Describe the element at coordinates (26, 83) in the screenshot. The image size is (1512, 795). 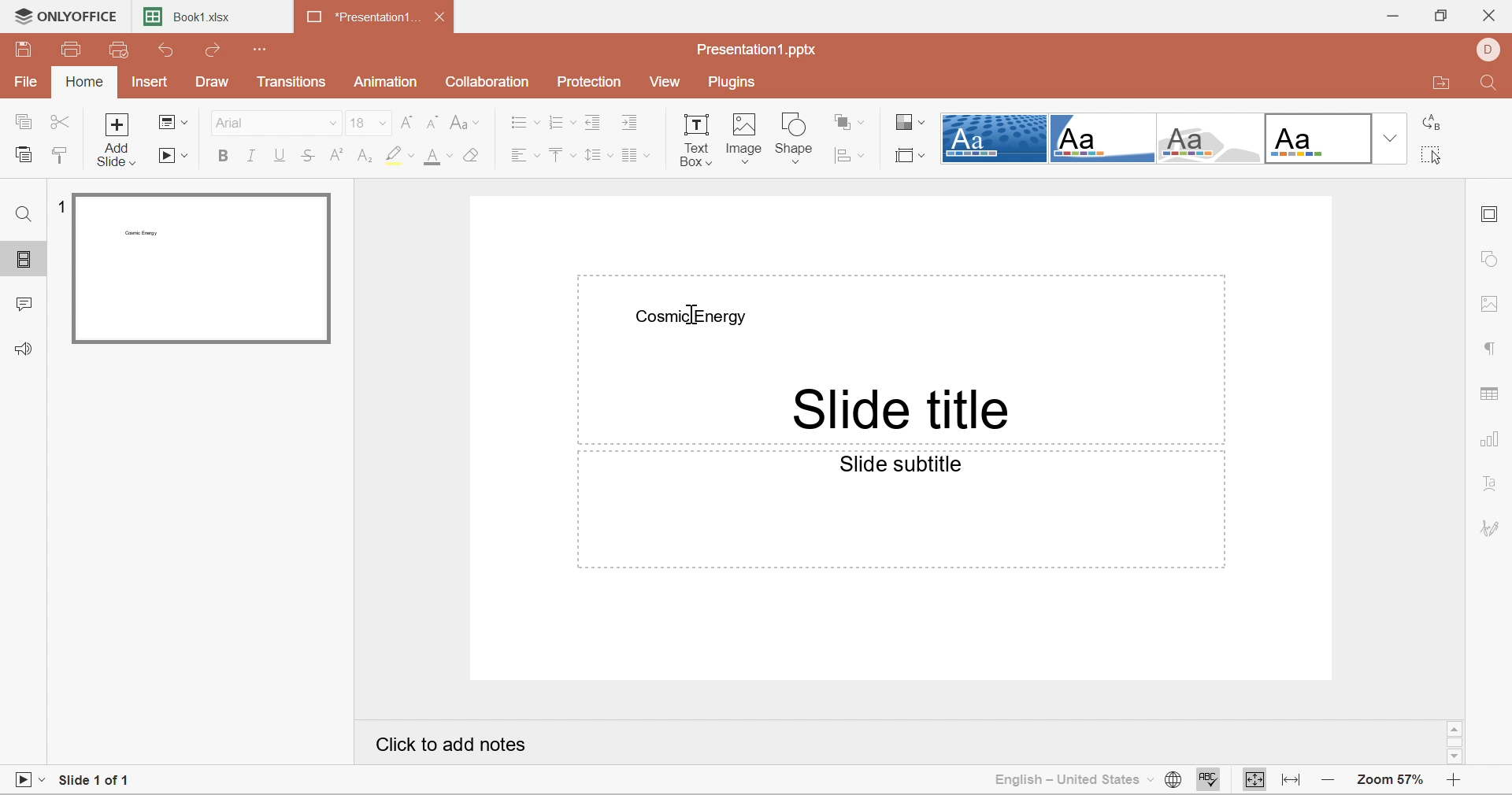
I see `File` at that location.